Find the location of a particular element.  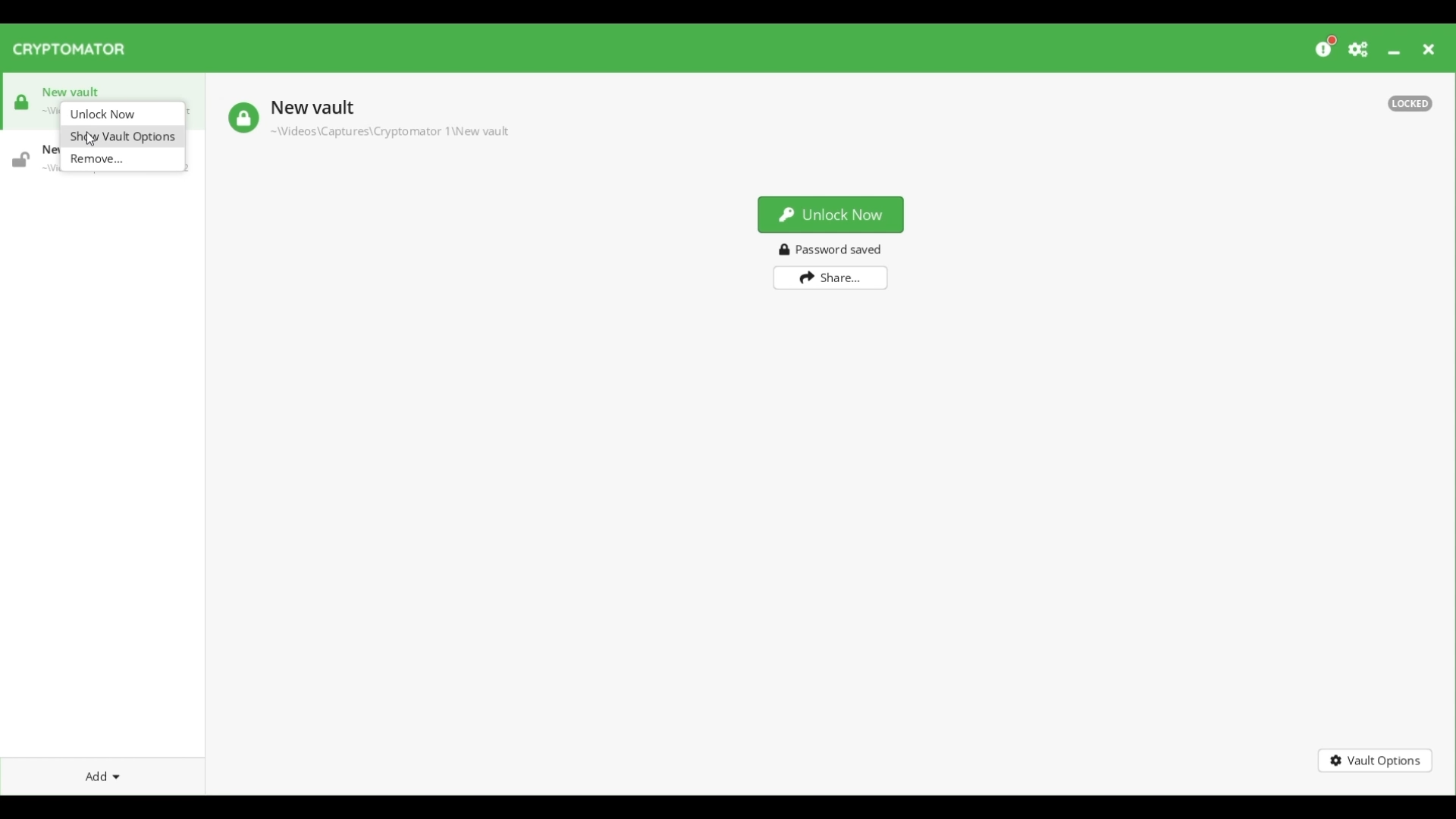

Vault 1/Selected vault is located at coordinates (95, 90).